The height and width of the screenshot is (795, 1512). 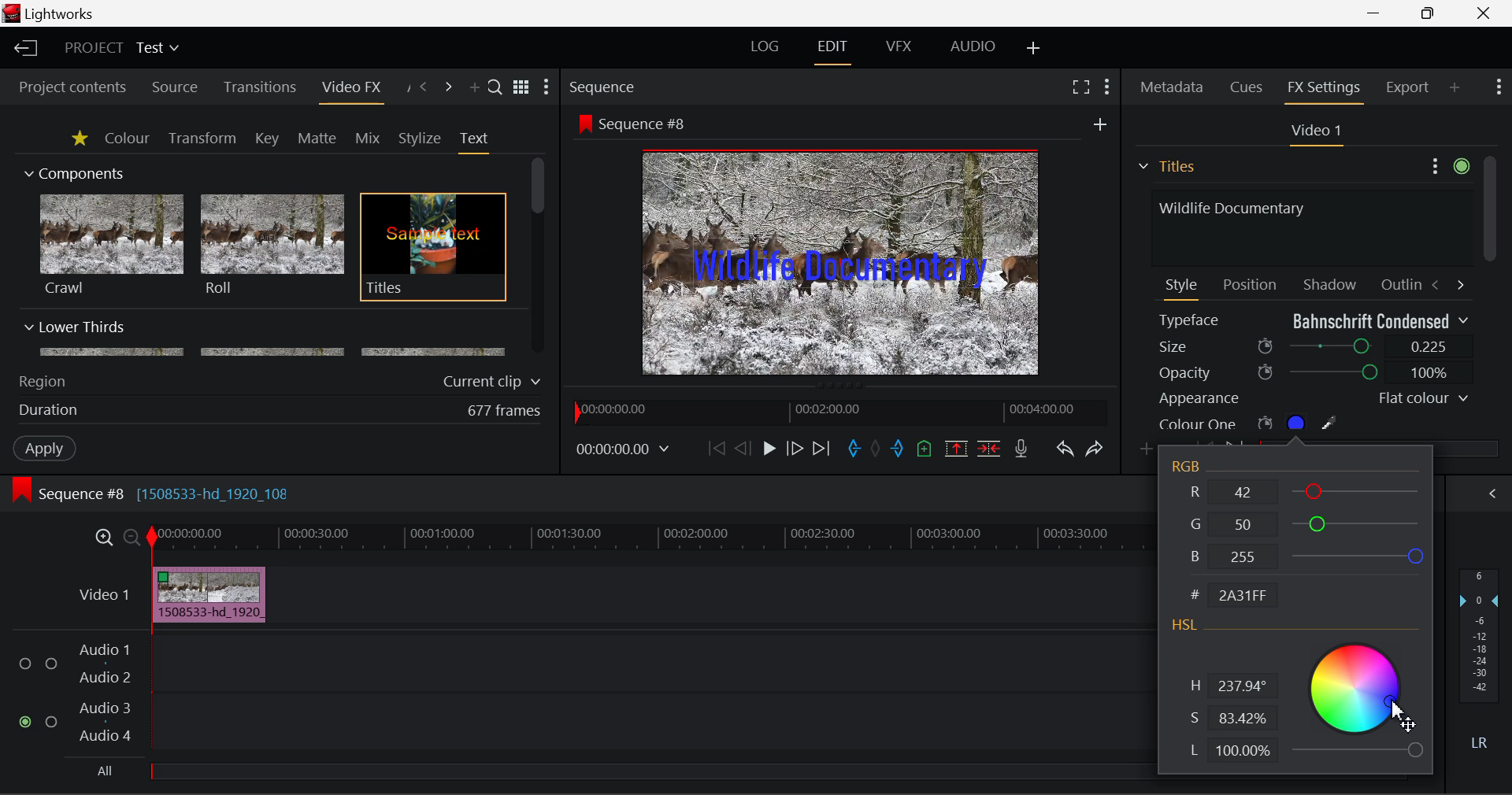 What do you see at coordinates (1308, 490) in the screenshot?
I see `R` at bounding box center [1308, 490].